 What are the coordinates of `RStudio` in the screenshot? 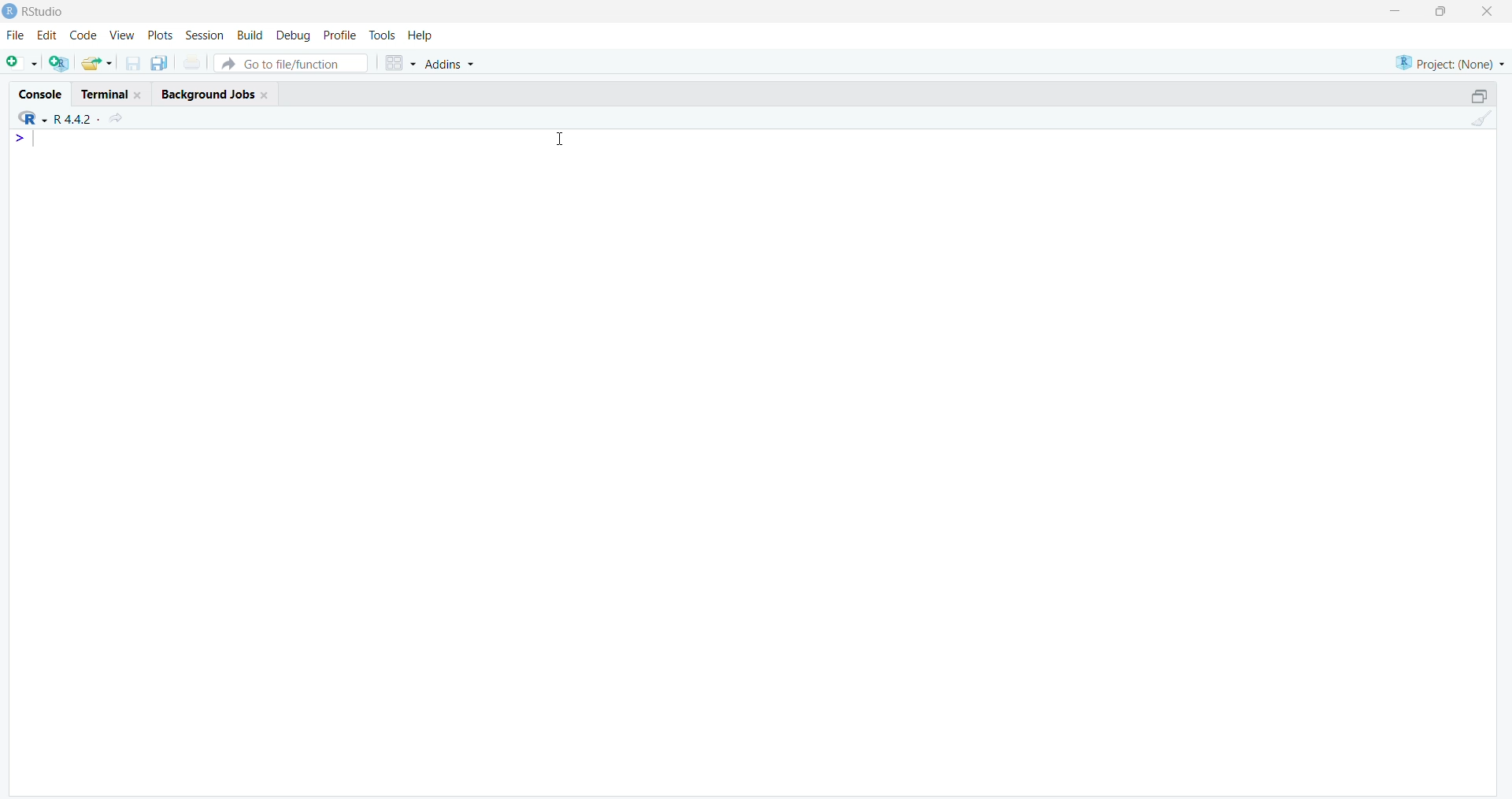 It's located at (34, 15).